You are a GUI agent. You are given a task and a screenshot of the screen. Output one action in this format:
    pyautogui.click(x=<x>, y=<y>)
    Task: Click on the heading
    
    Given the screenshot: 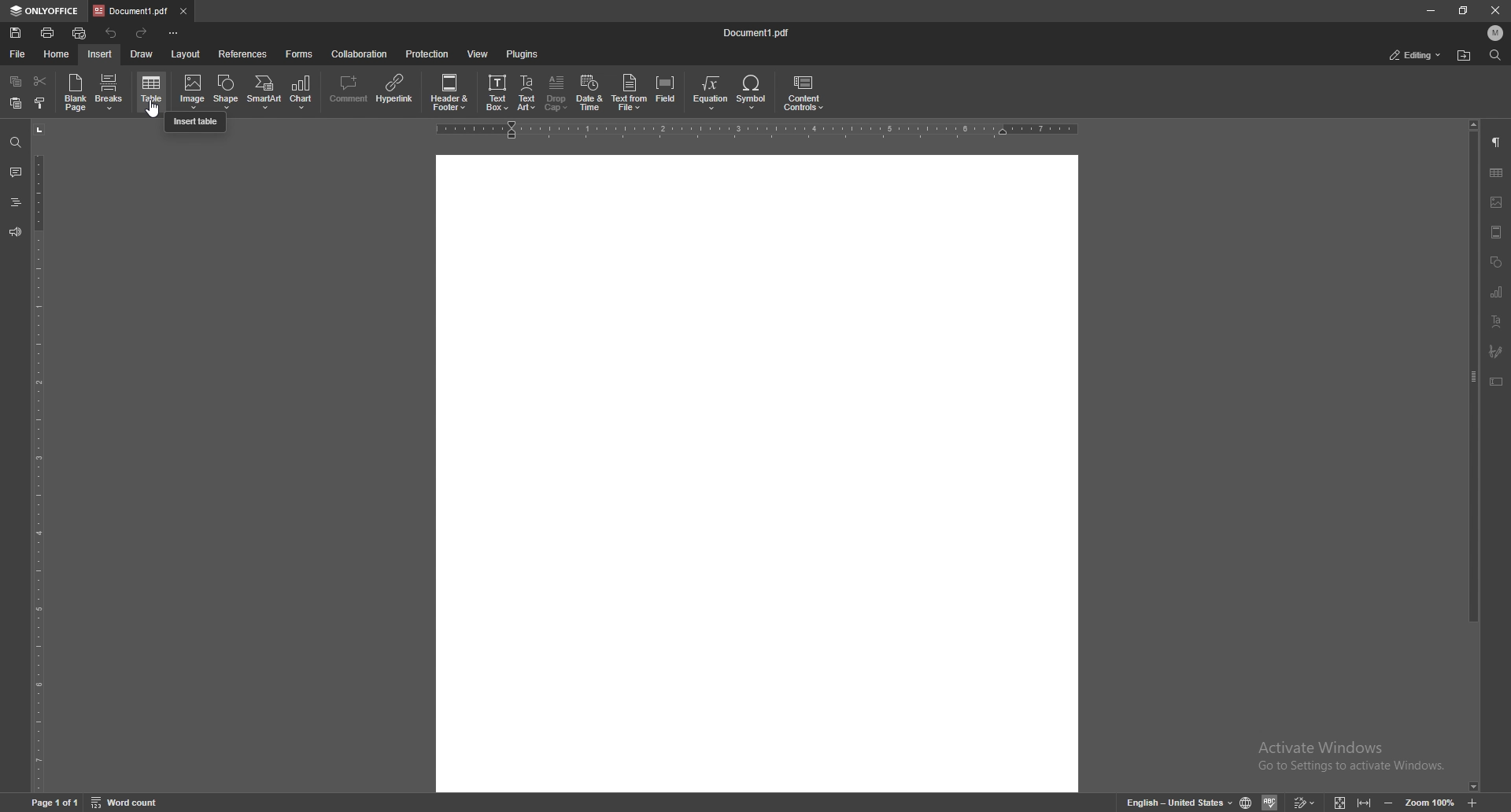 What is the action you would take?
    pyautogui.click(x=15, y=202)
    